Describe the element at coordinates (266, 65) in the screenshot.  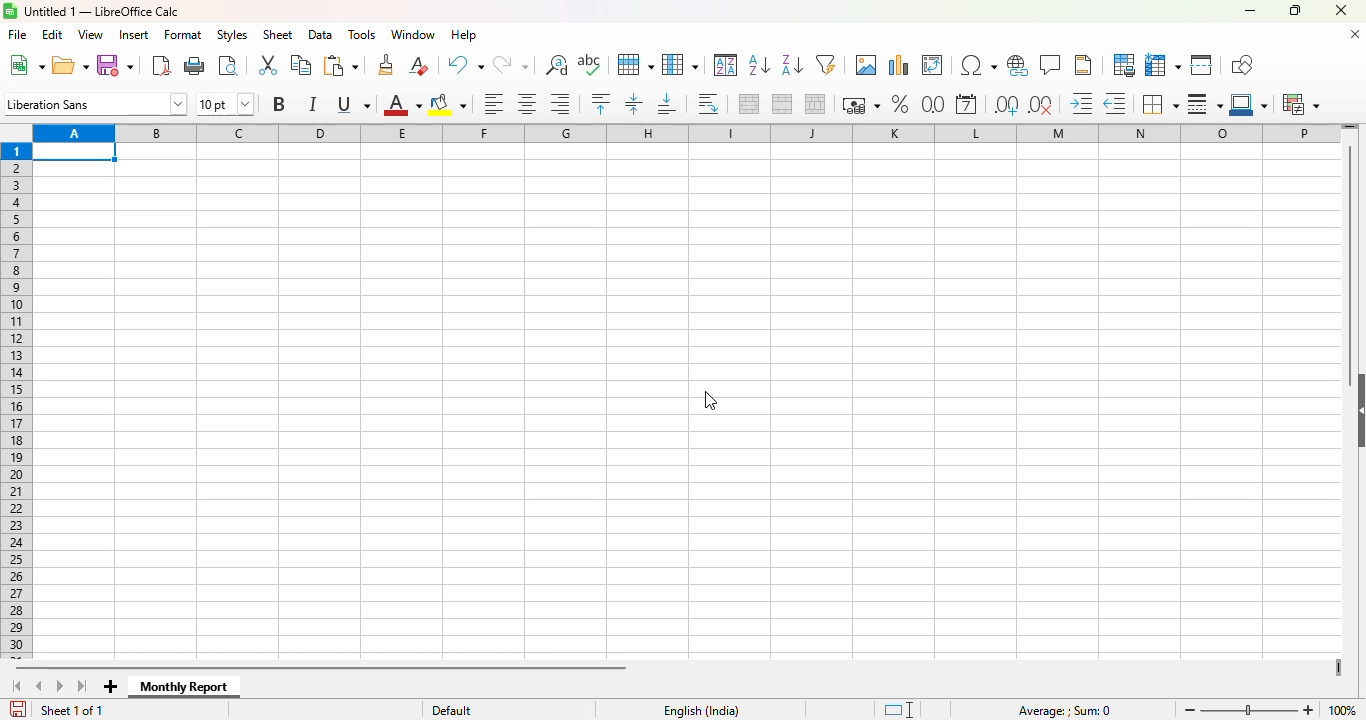
I see `cut` at that location.